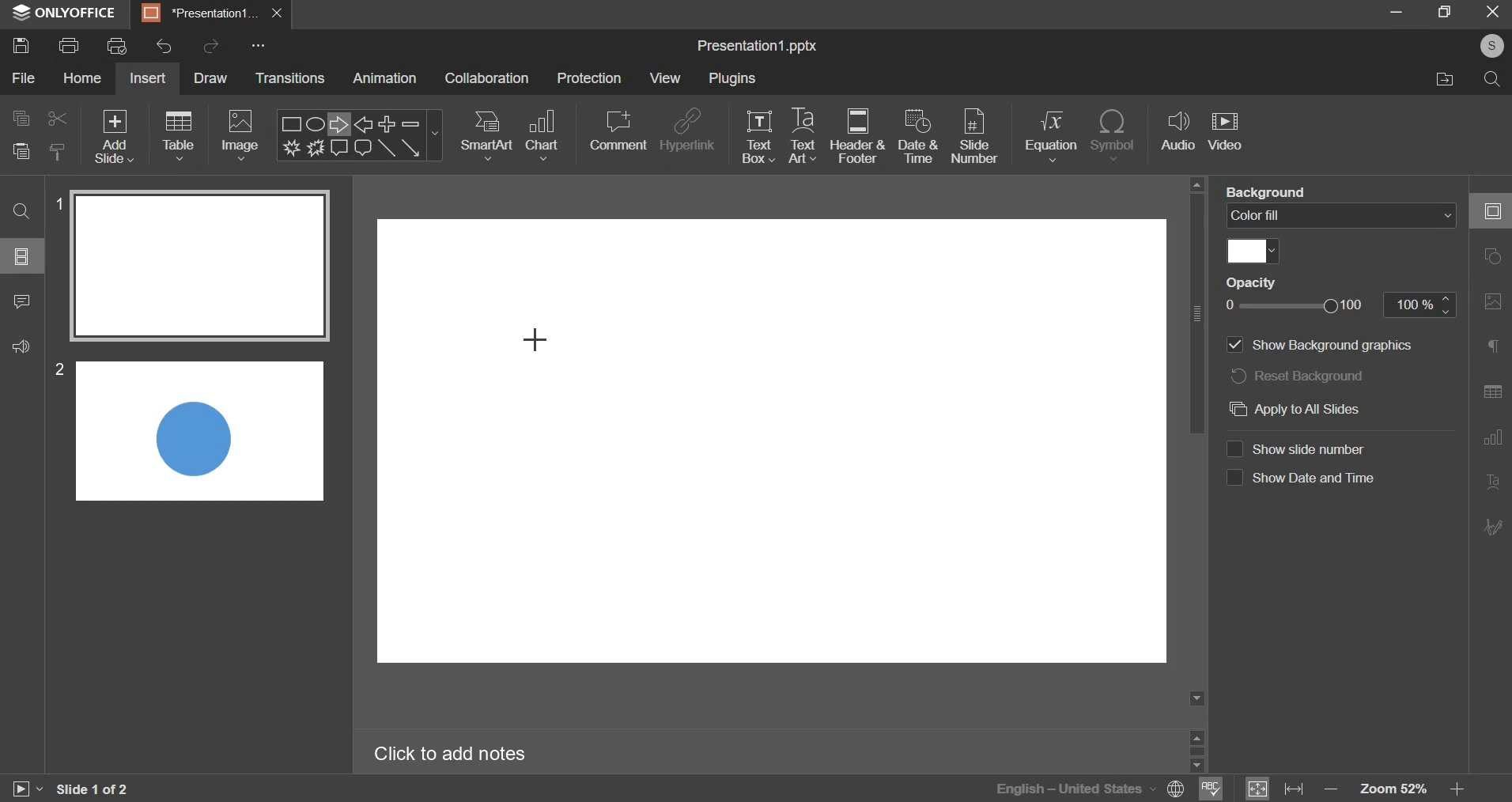 The width and height of the screenshot is (1512, 802). Describe the element at coordinates (211, 13) in the screenshot. I see `presentation` at that location.